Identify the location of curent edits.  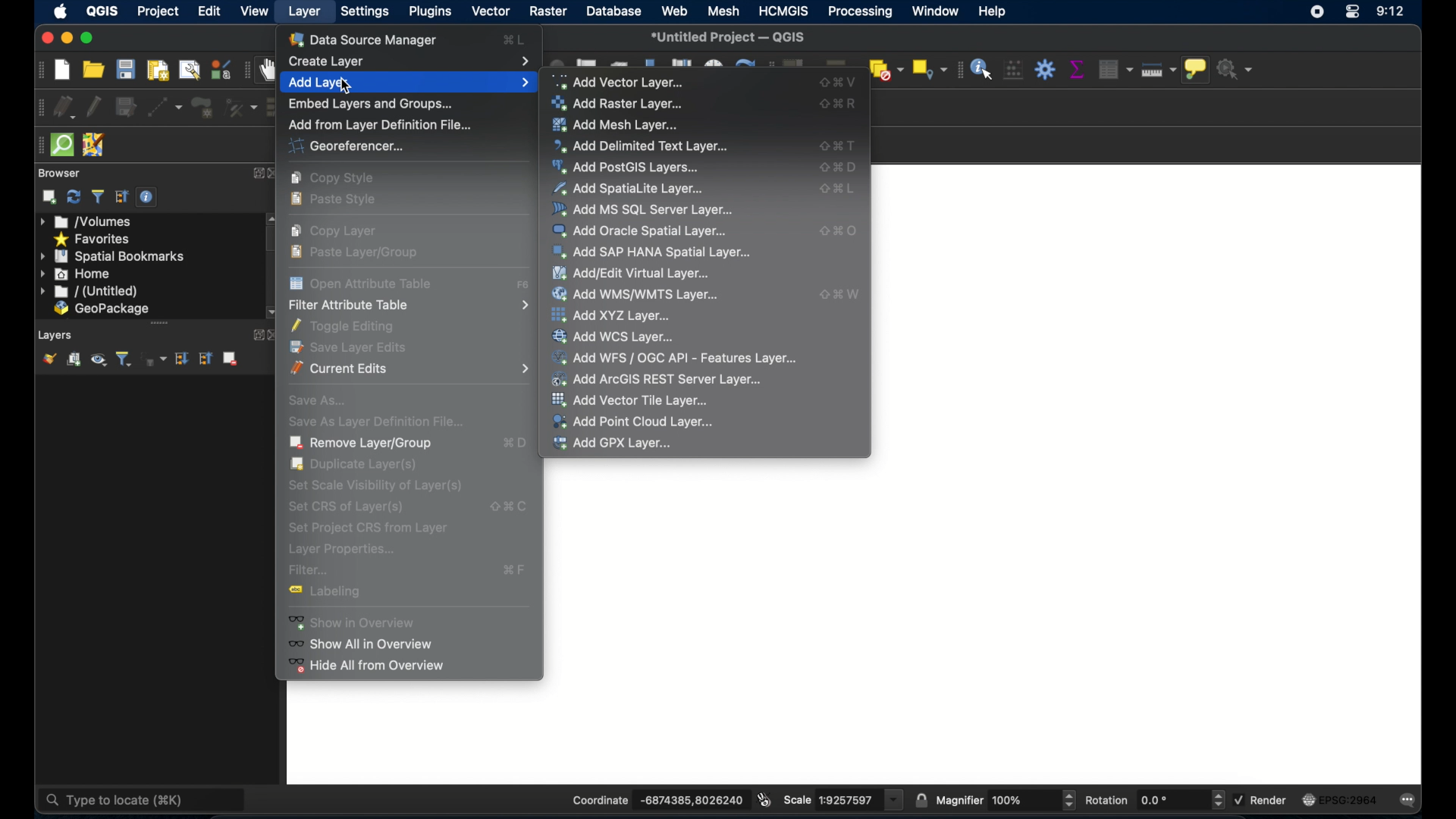
(65, 107).